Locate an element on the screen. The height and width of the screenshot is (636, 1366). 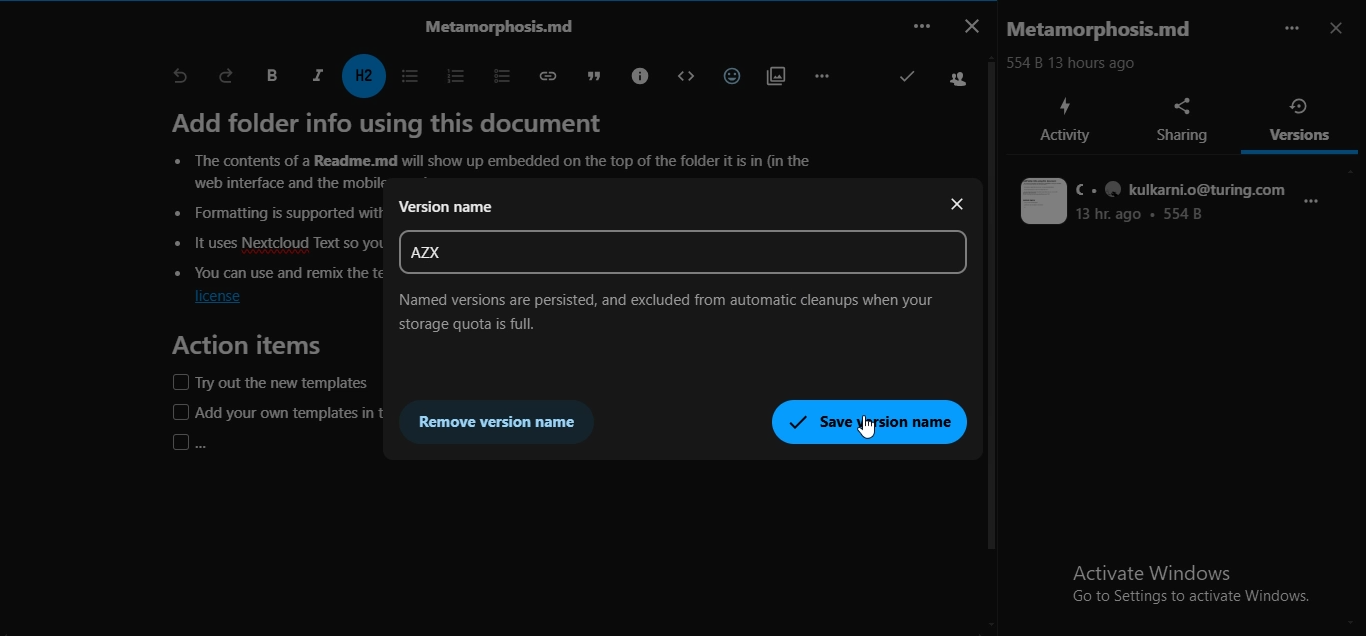
Correct is located at coordinates (905, 79).